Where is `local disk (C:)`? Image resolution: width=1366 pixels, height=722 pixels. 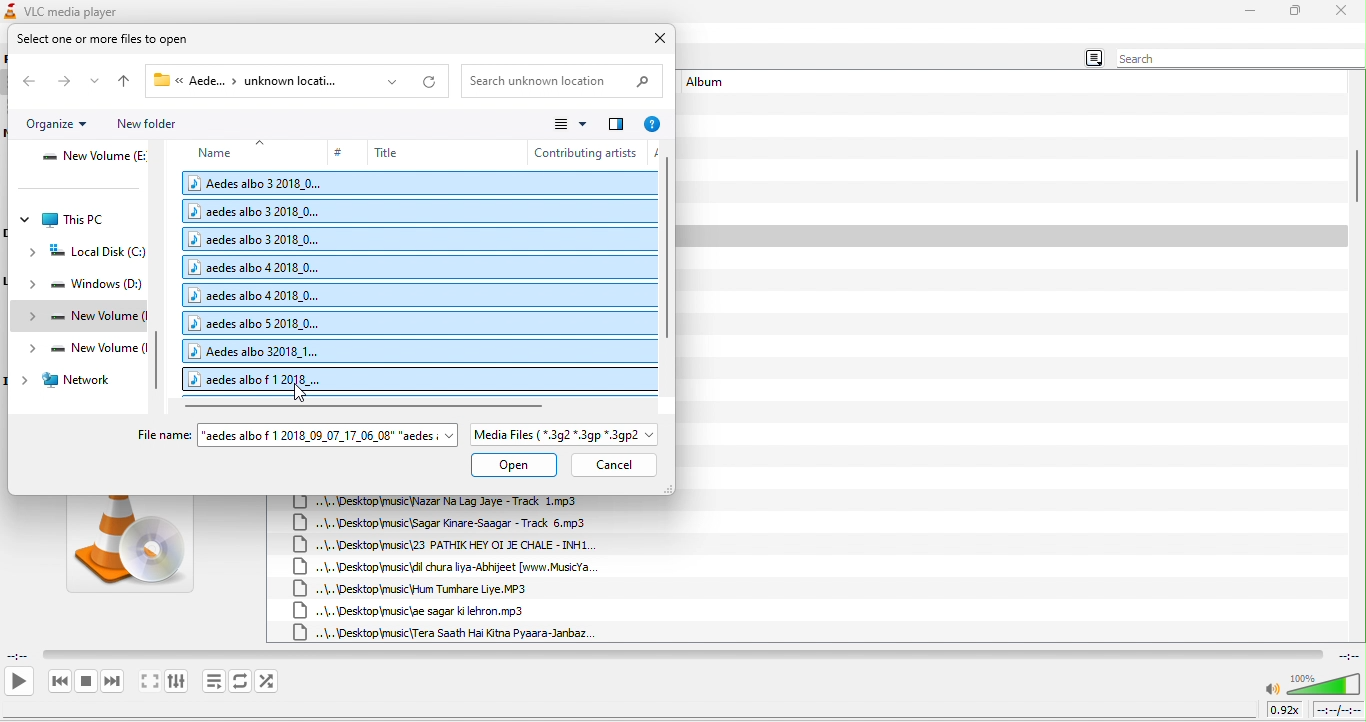
local disk (C:) is located at coordinates (89, 254).